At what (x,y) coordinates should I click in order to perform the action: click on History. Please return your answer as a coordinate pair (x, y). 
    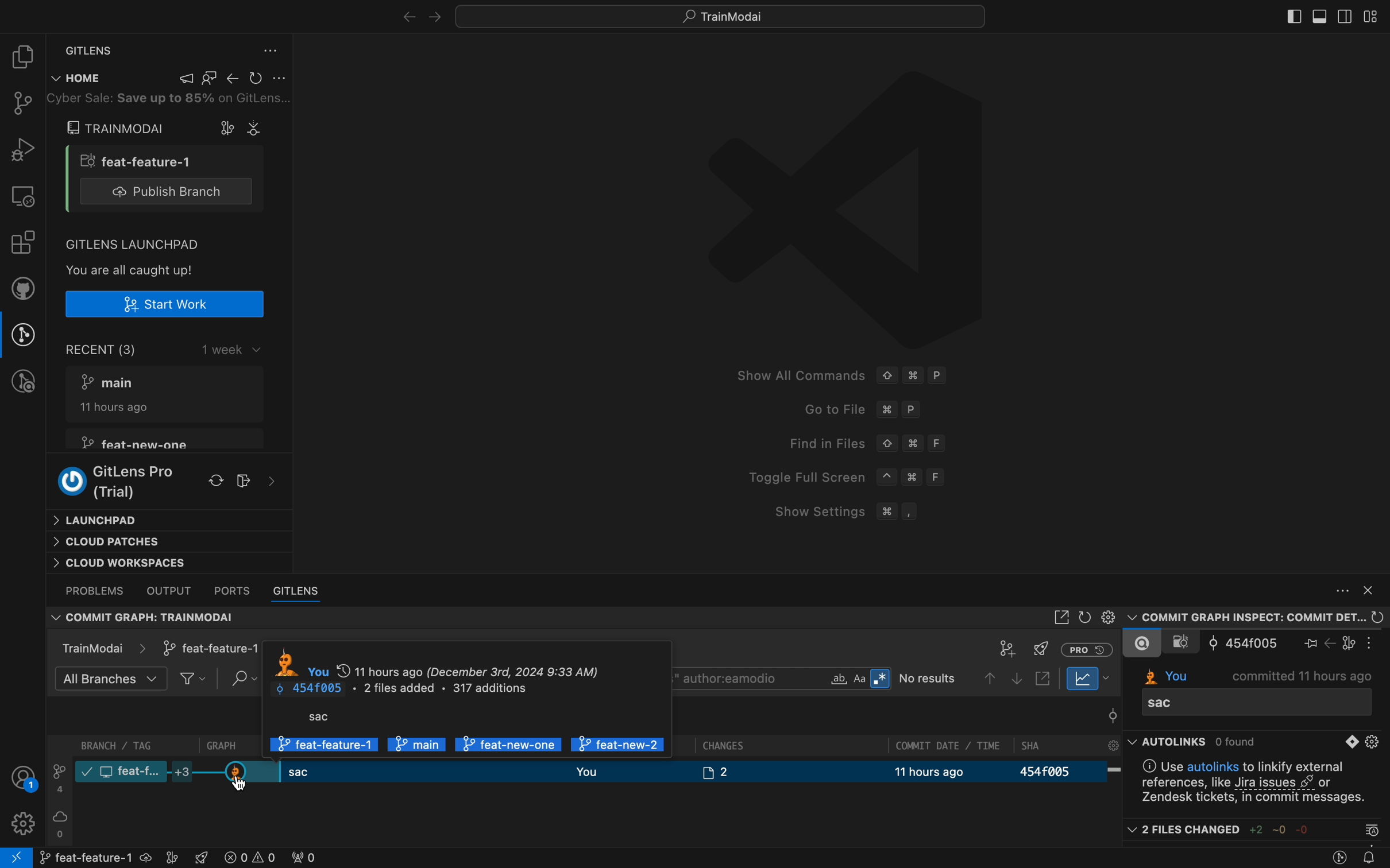
    Looking at the image, I should click on (1092, 650).